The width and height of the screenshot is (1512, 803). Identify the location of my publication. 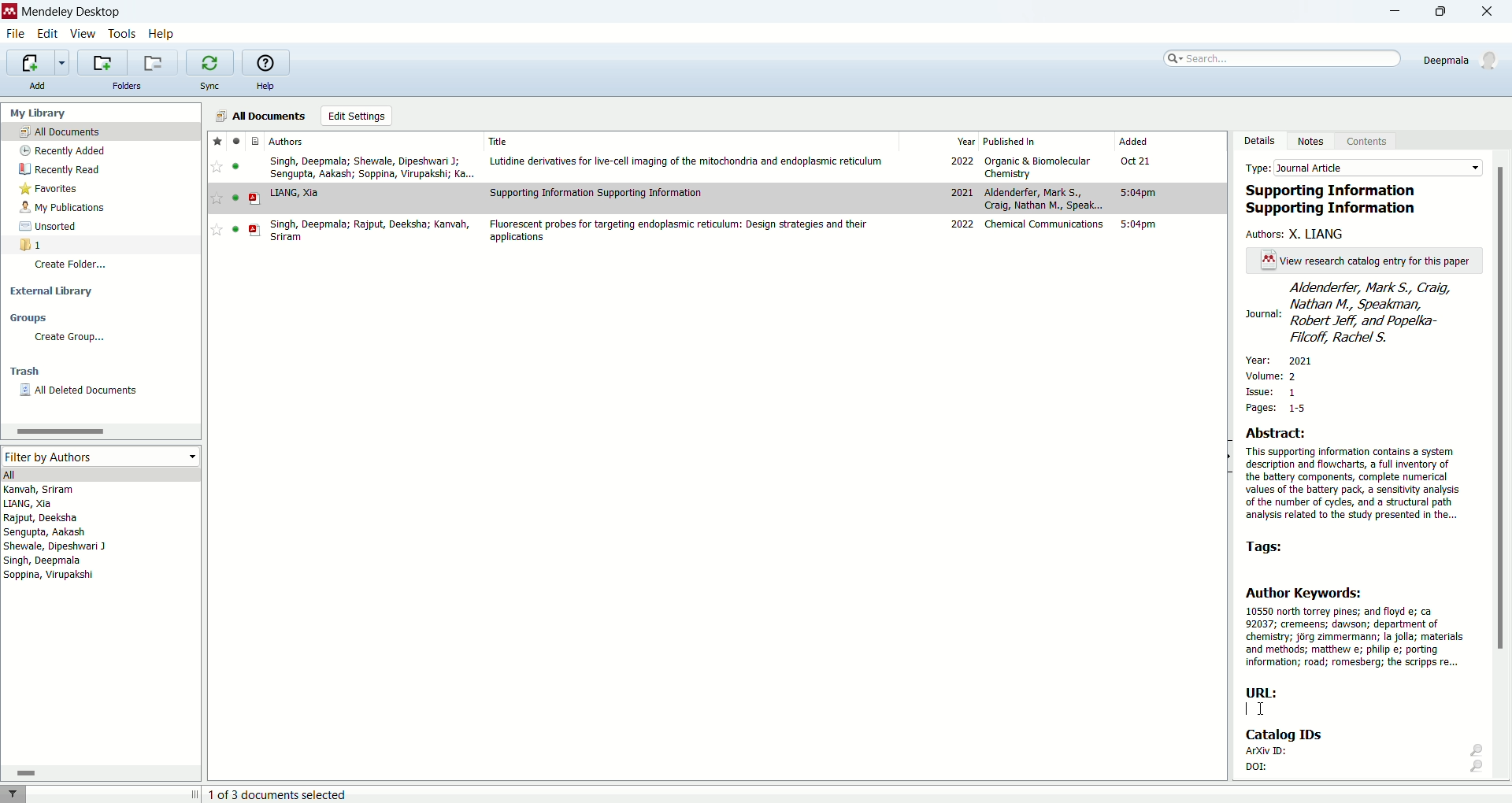
(64, 207).